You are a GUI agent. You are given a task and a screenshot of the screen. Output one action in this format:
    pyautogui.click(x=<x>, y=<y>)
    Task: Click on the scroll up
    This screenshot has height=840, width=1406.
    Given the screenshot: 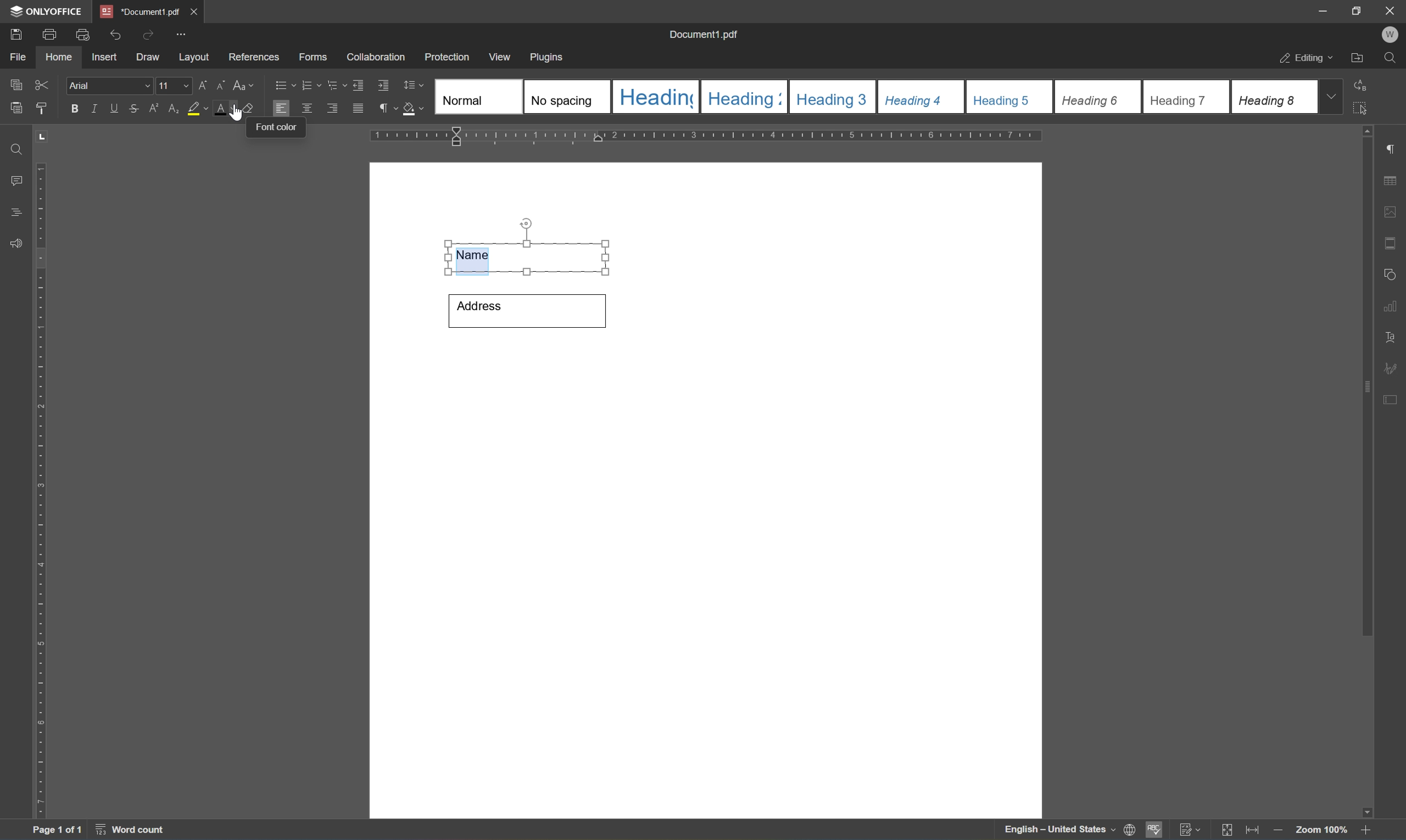 What is the action you would take?
    pyautogui.click(x=1373, y=130)
    